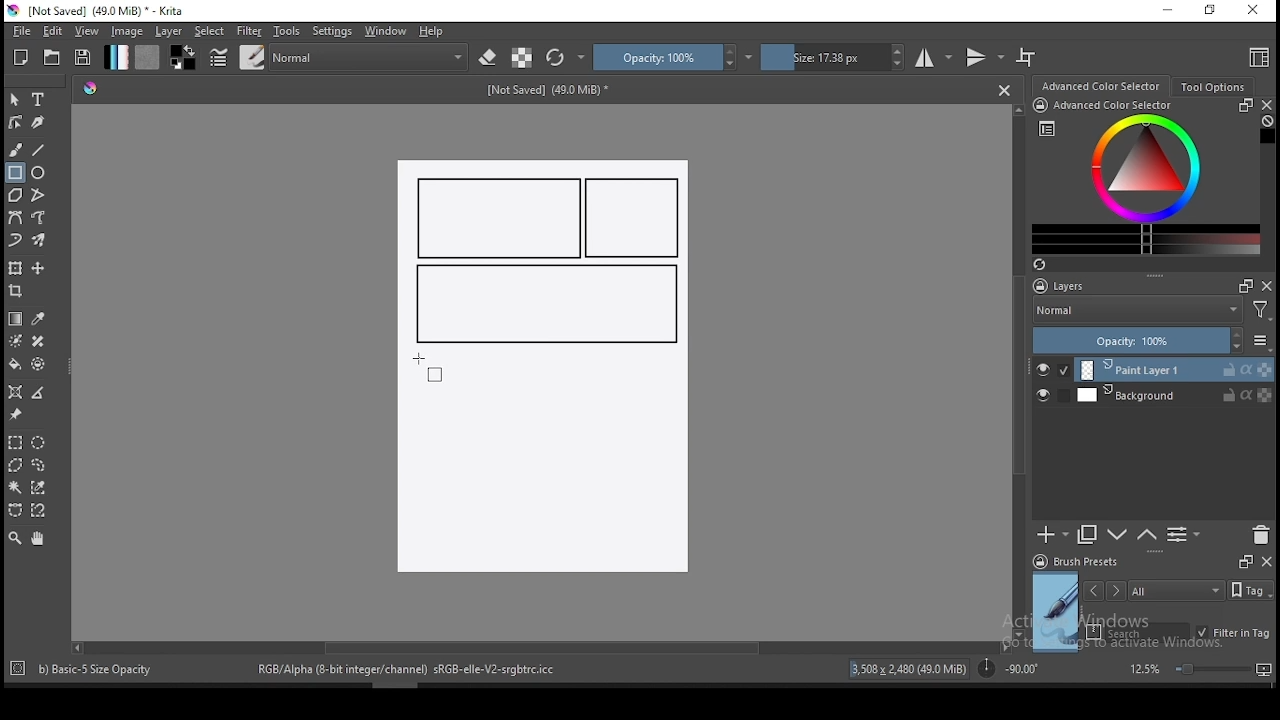 The image size is (1280, 720). Describe the element at coordinates (1200, 668) in the screenshot. I see `zoom level` at that location.